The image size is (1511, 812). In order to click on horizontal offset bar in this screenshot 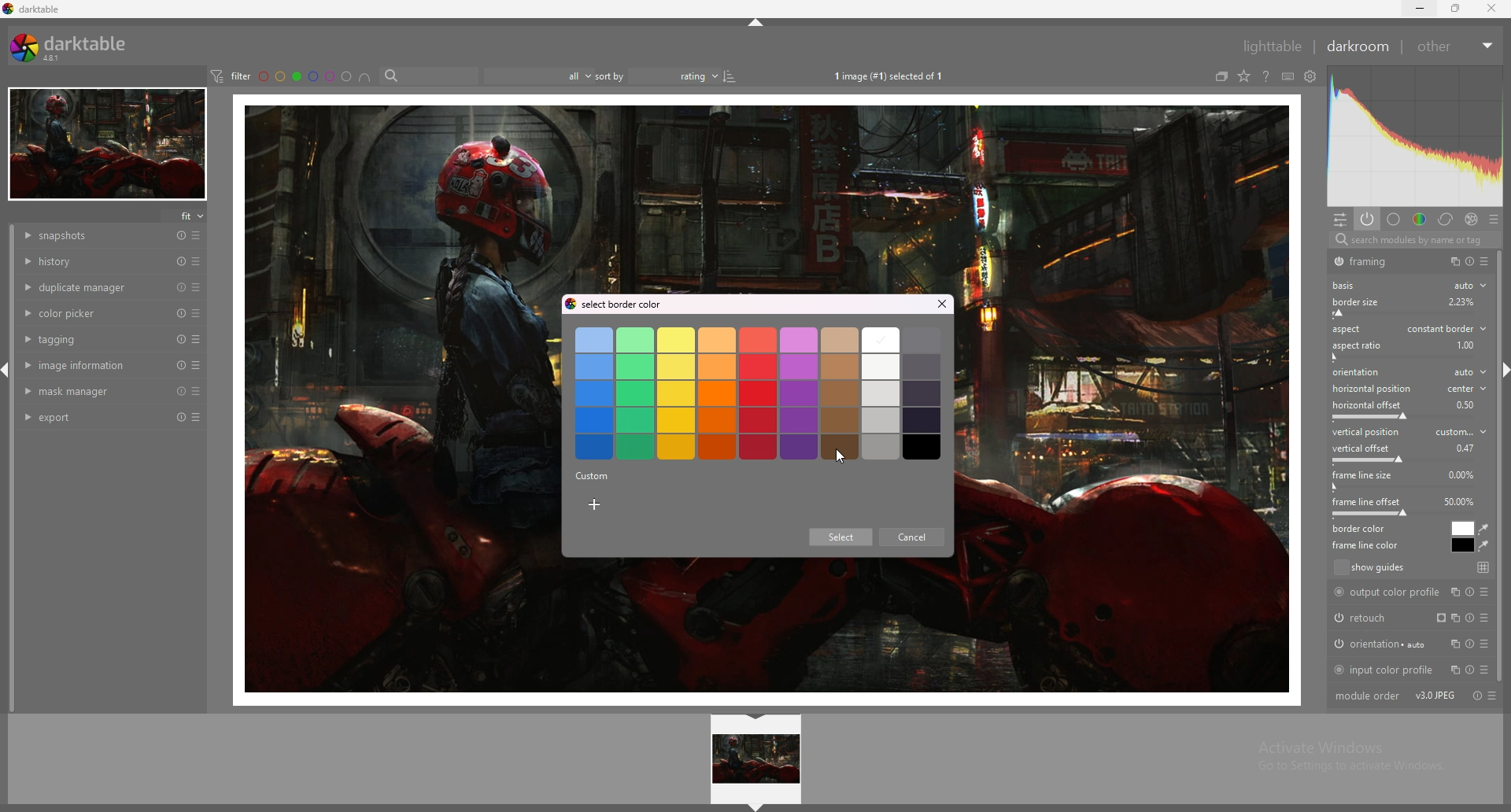, I will do `click(1403, 415)`.